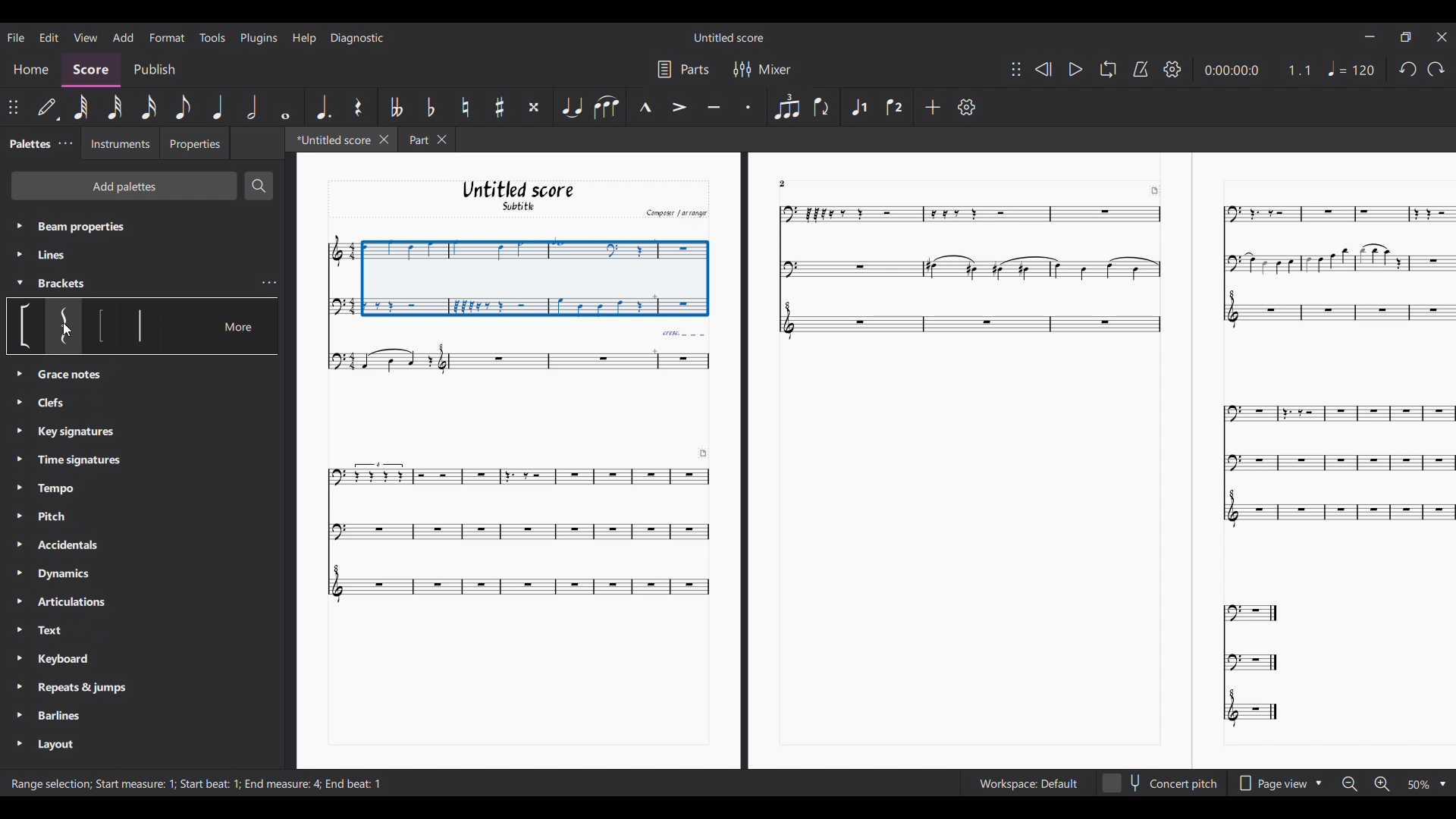 Image resolution: width=1456 pixels, height=819 pixels. What do you see at coordinates (1442, 785) in the screenshot?
I see `Drop down` at bounding box center [1442, 785].